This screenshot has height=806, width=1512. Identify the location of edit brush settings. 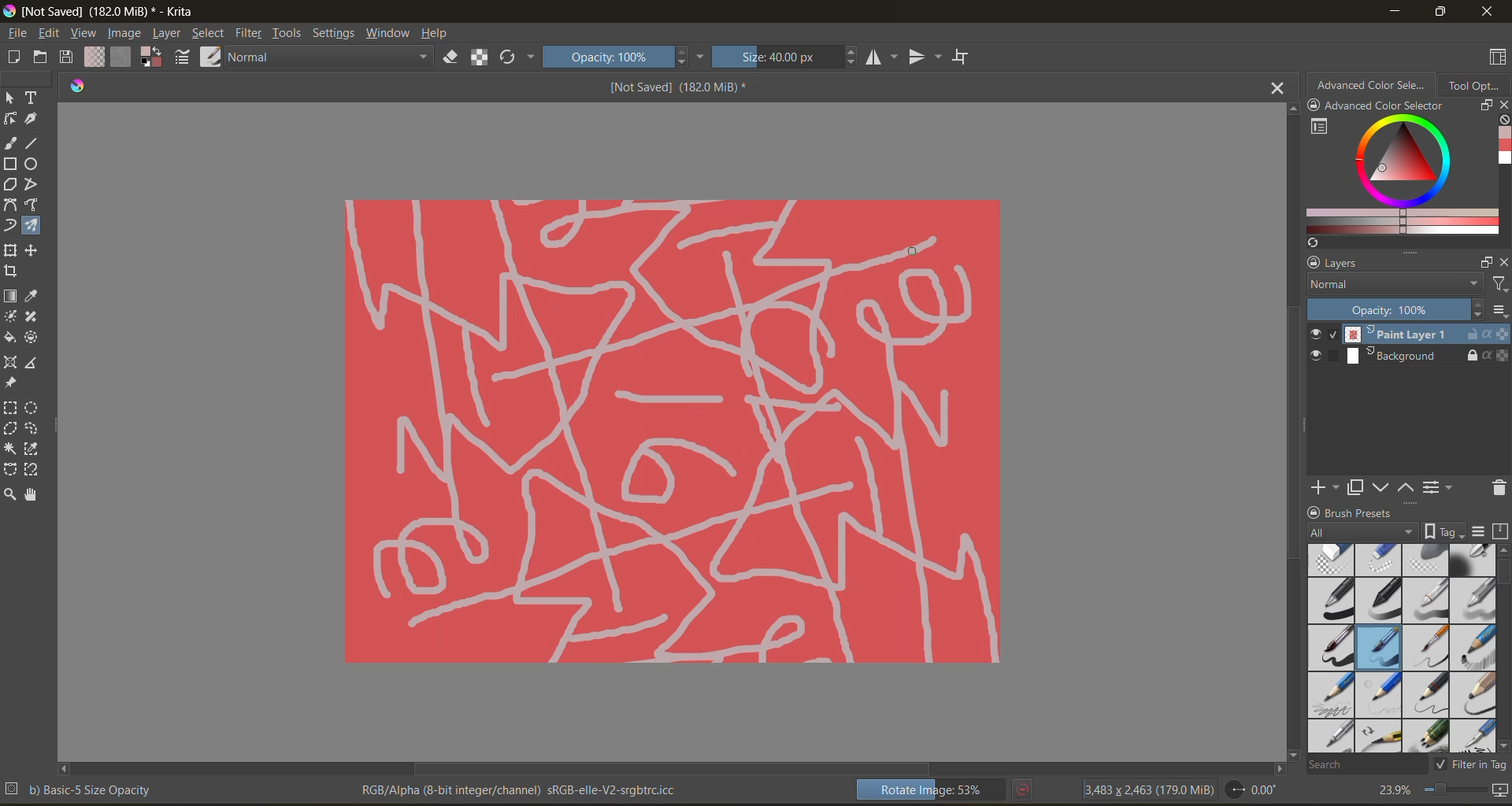
(183, 59).